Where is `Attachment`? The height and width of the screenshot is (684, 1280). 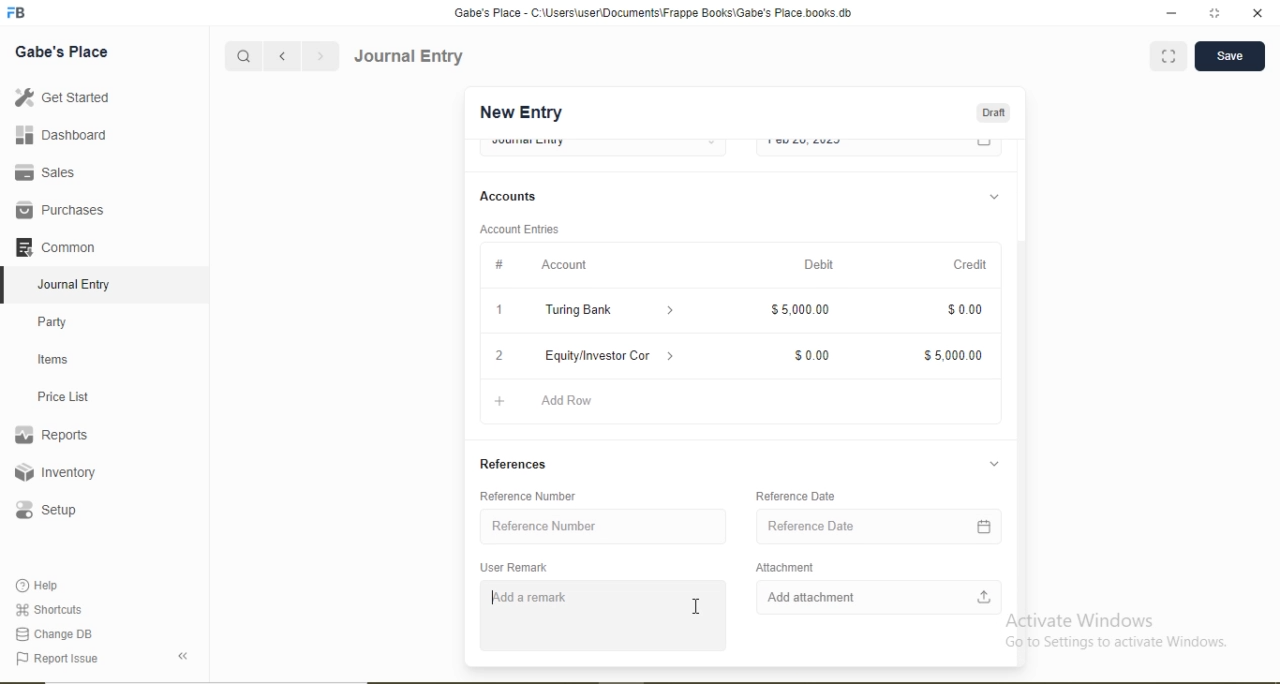 Attachment is located at coordinates (784, 567).